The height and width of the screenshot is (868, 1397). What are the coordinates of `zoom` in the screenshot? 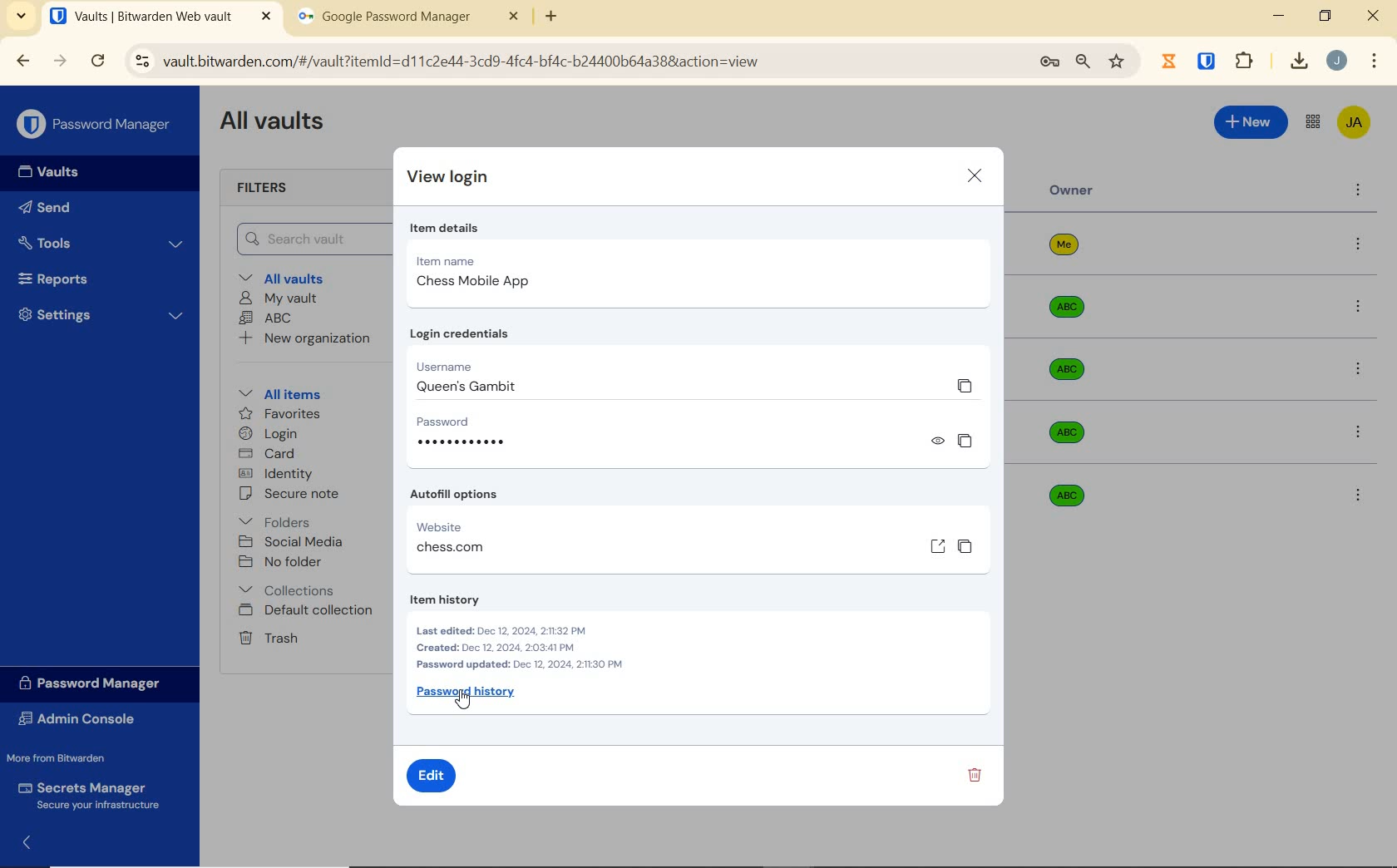 It's located at (1081, 62).